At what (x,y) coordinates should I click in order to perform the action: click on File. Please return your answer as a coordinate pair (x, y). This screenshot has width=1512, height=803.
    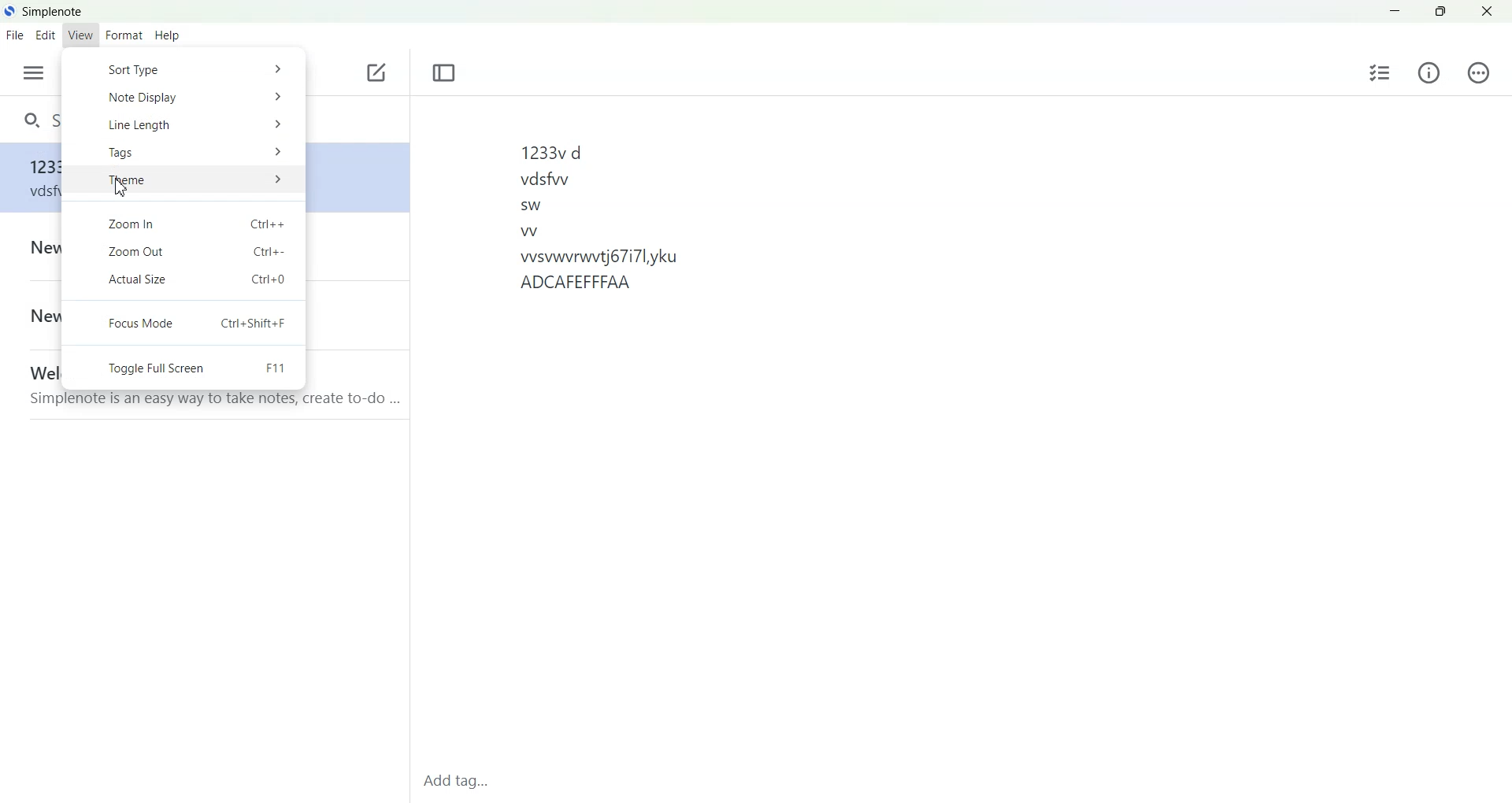
    Looking at the image, I should click on (14, 35).